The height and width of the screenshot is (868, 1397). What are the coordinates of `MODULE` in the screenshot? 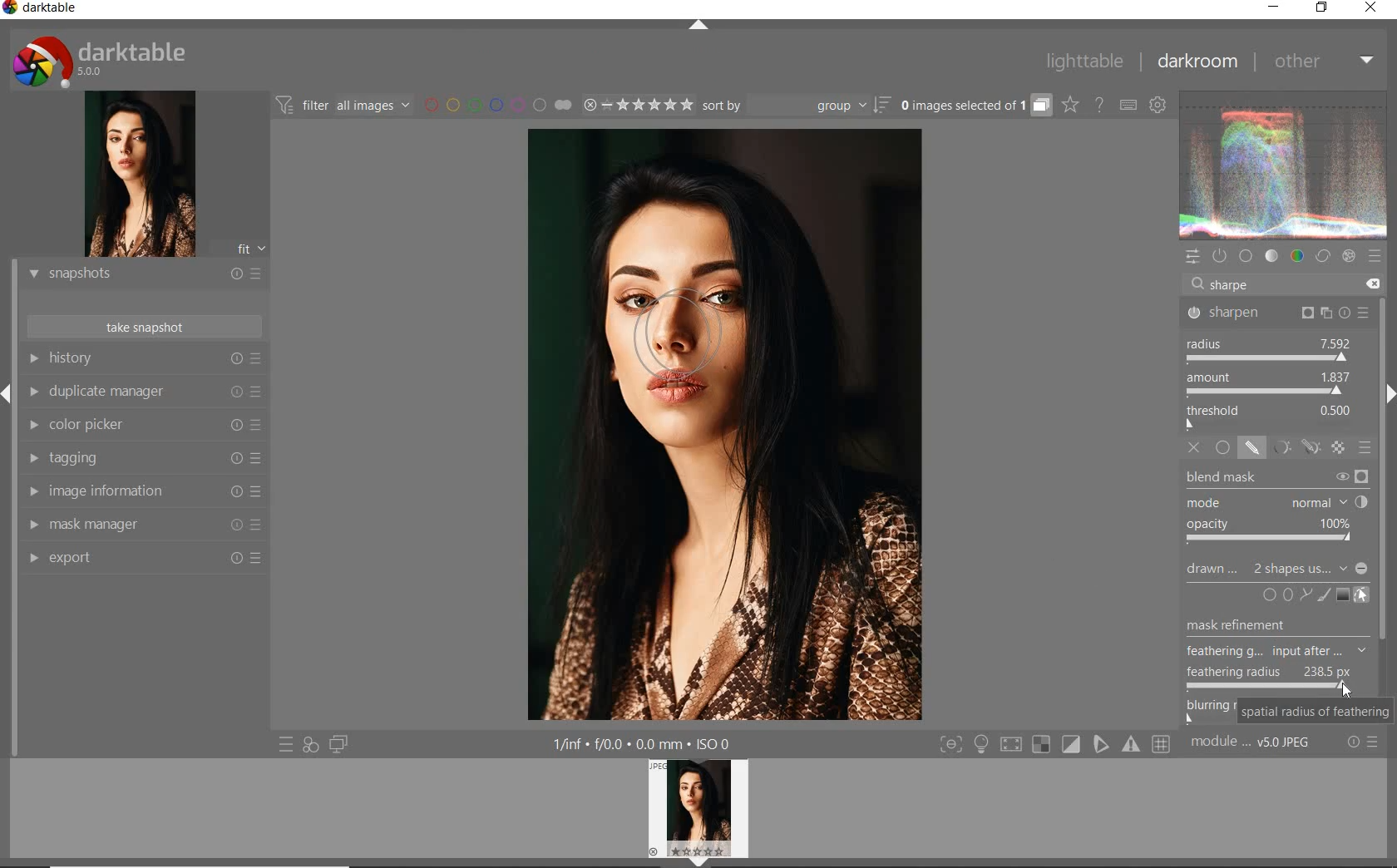 It's located at (1254, 746).